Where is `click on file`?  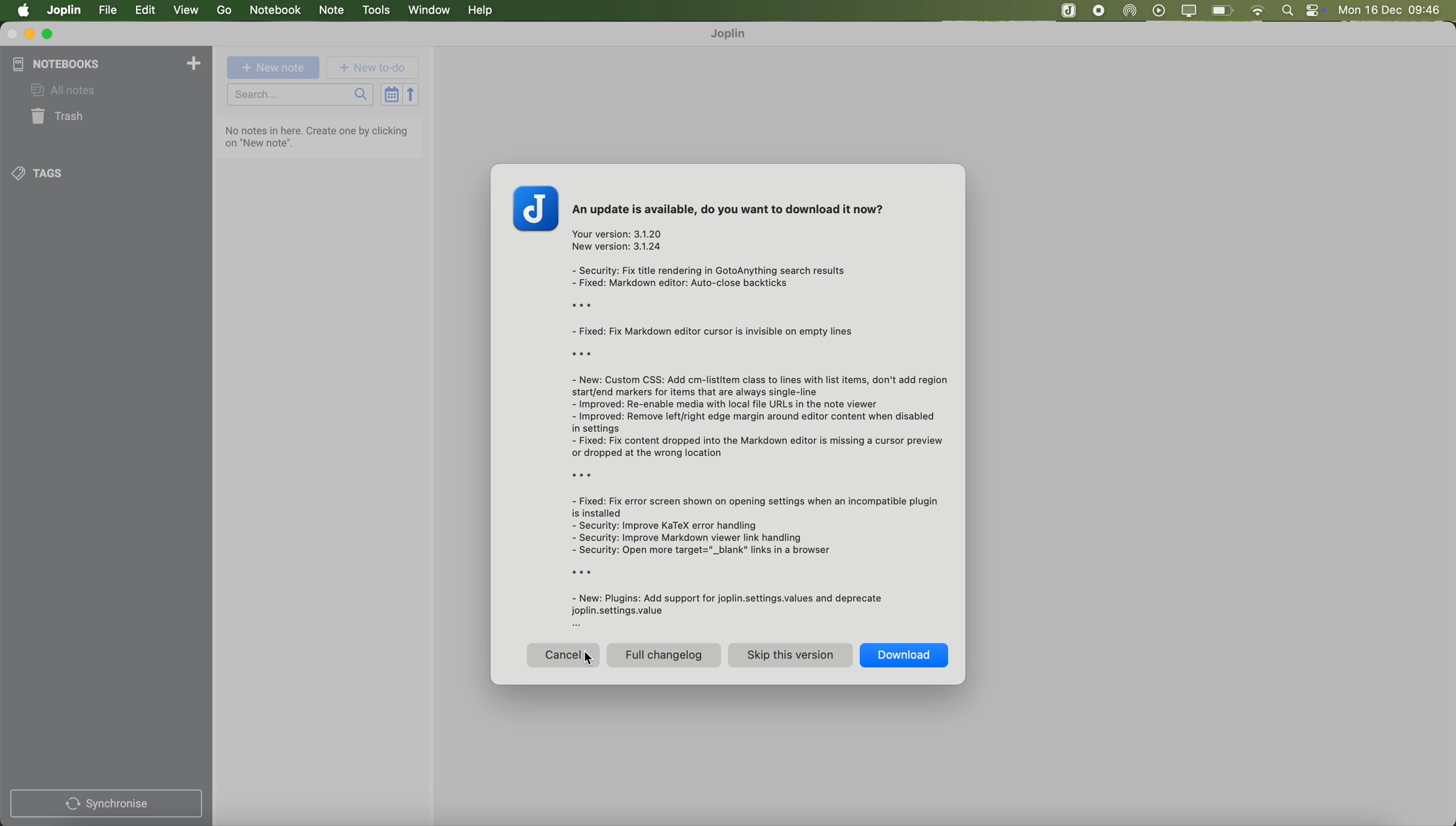 click on file is located at coordinates (109, 12).